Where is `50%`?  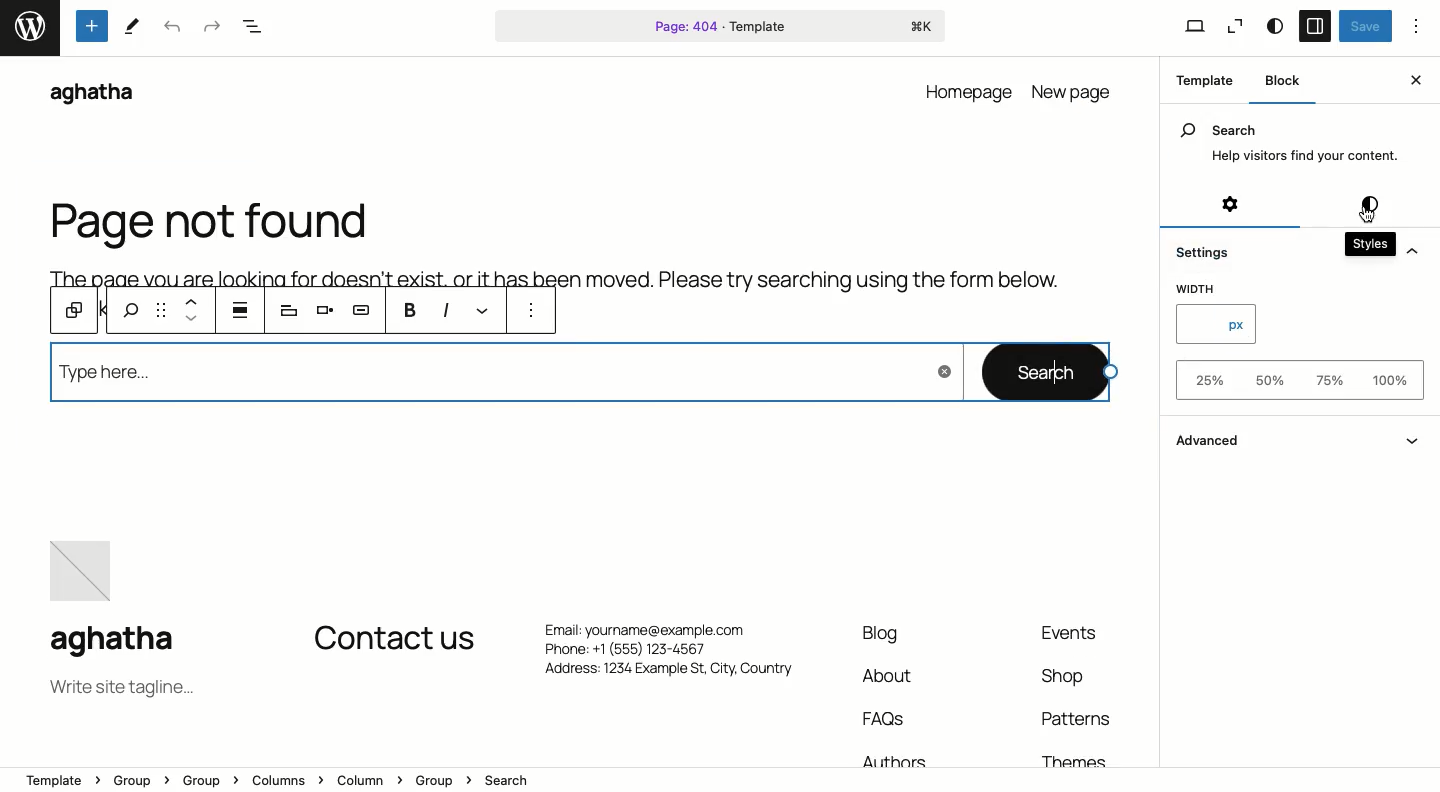
50% is located at coordinates (1266, 381).